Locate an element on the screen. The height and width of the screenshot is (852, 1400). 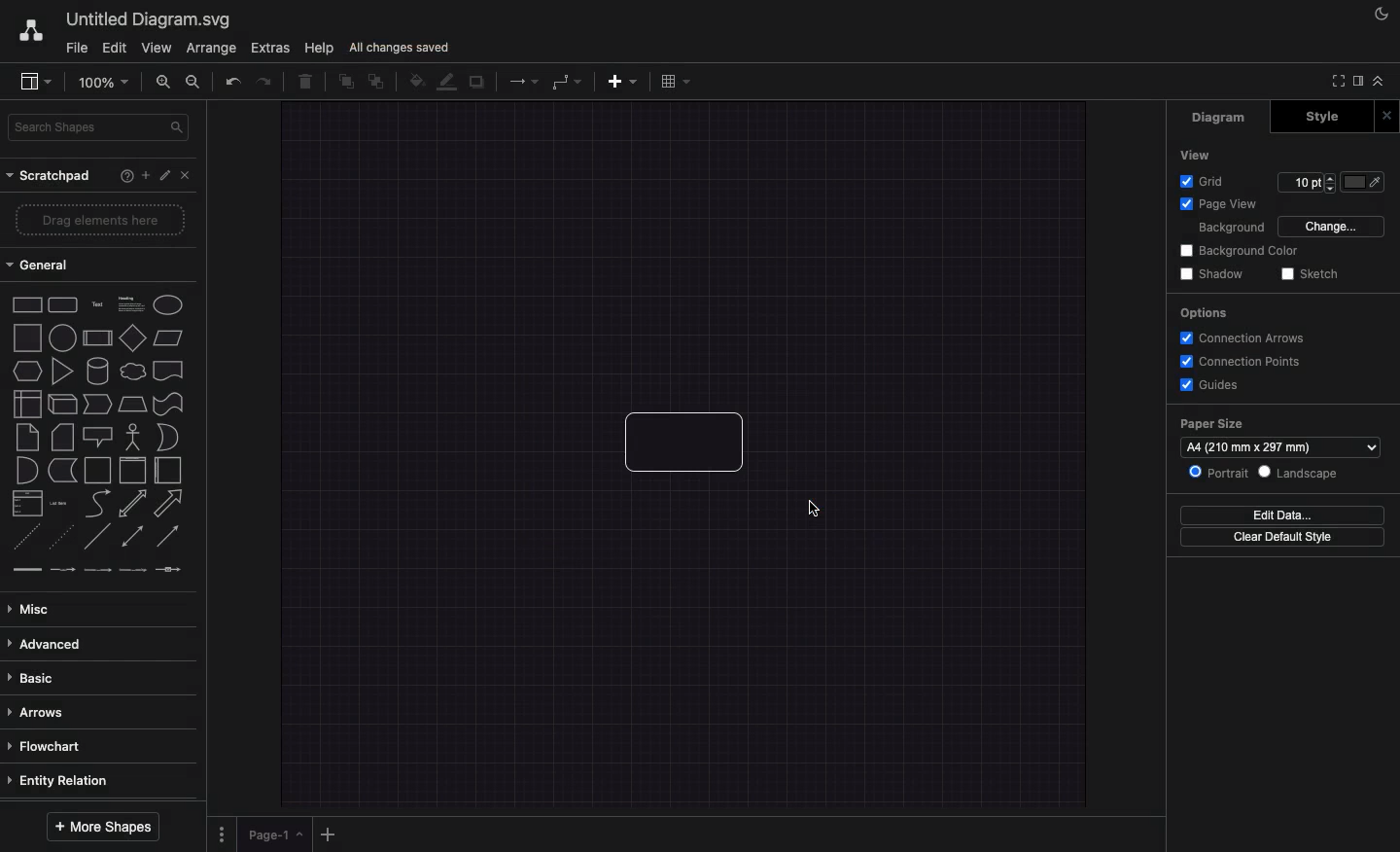
Zoom in is located at coordinates (162, 83).